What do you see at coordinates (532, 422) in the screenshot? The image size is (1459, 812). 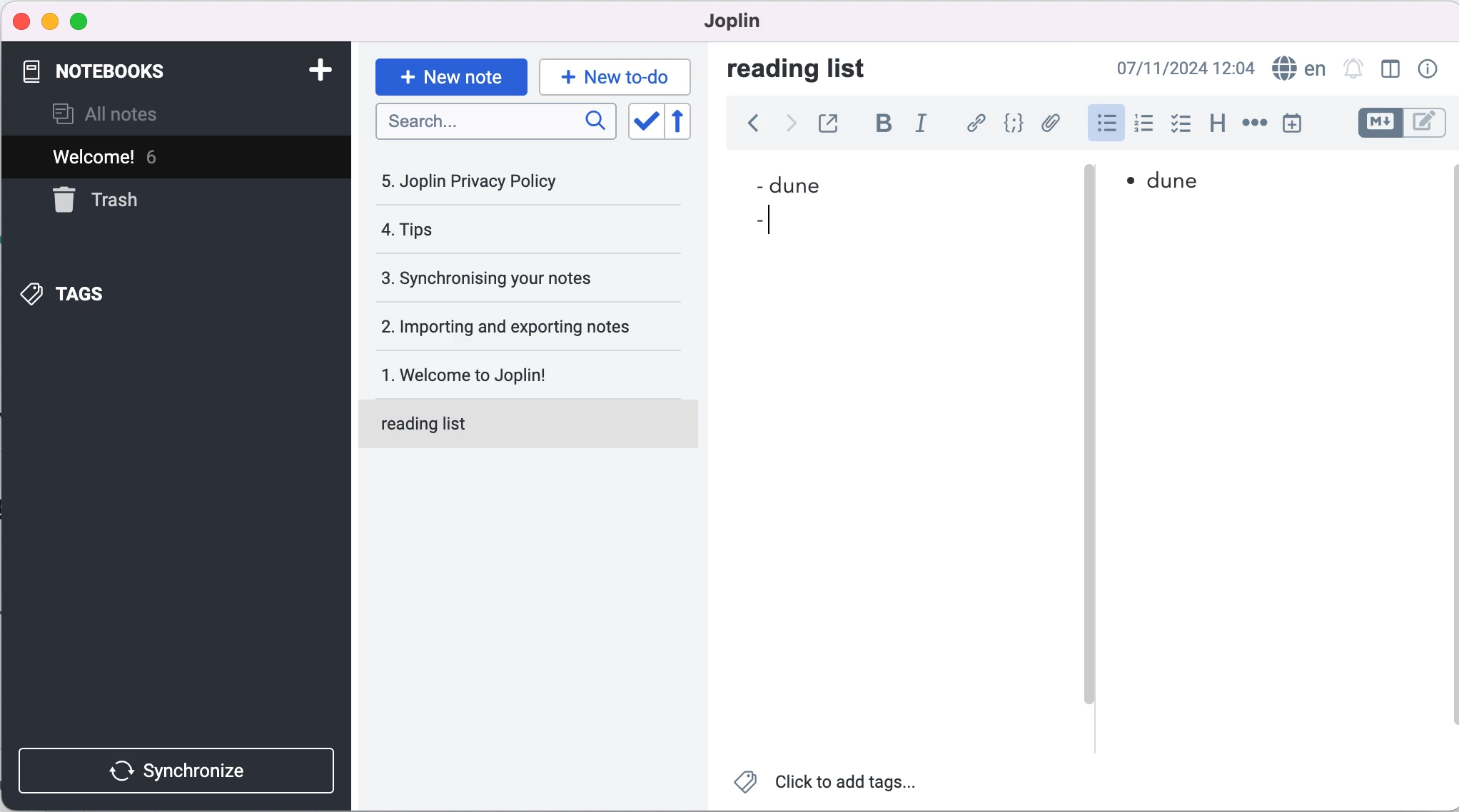 I see `reading list ` at bounding box center [532, 422].